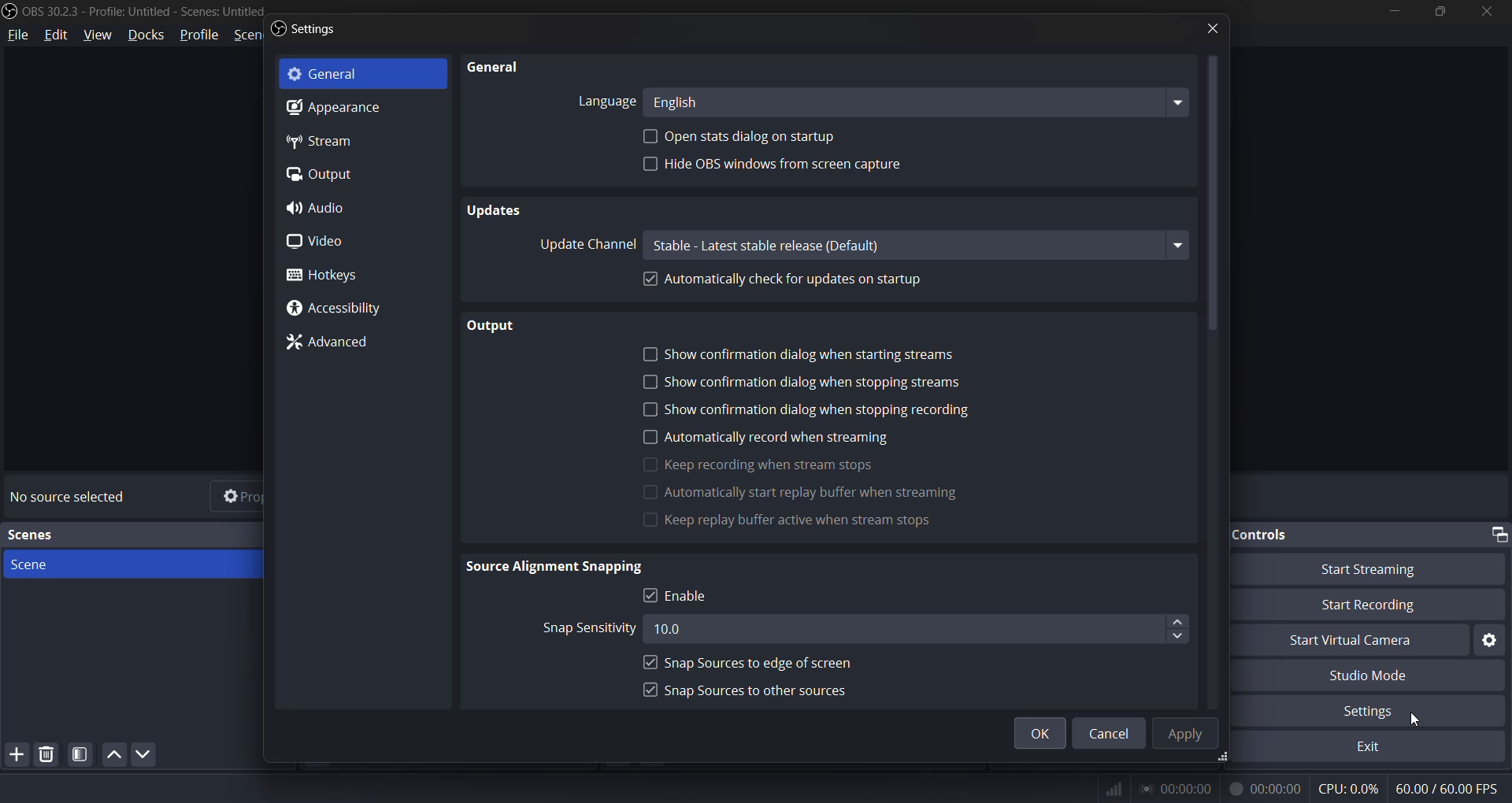 Image resolution: width=1512 pixels, height=803 pixels. Describe the element at coordinates (1045, 735) in the screenshot. I see `ok` at that location.